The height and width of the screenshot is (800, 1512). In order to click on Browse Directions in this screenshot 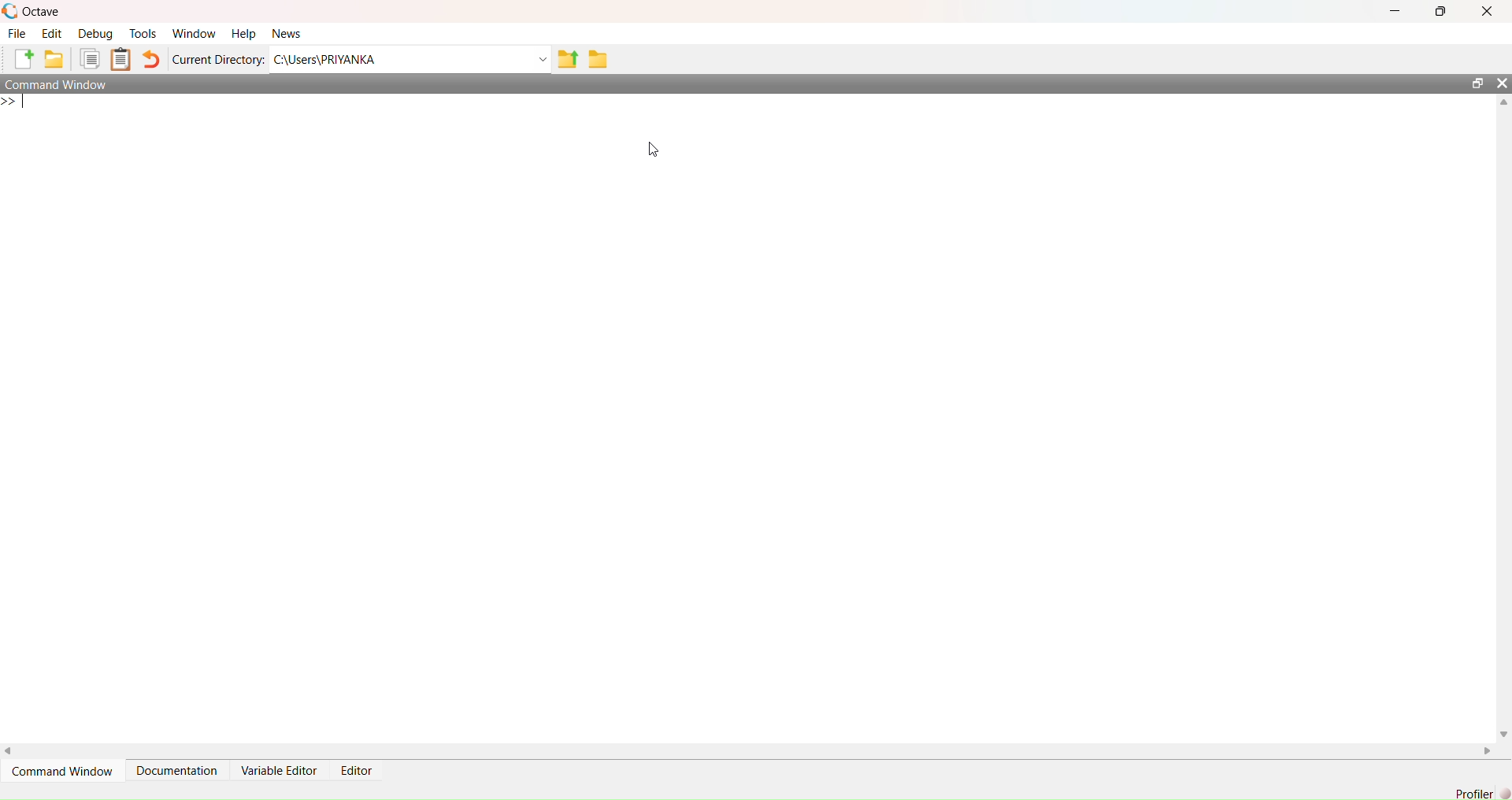, I will do `click(598, 58)`.